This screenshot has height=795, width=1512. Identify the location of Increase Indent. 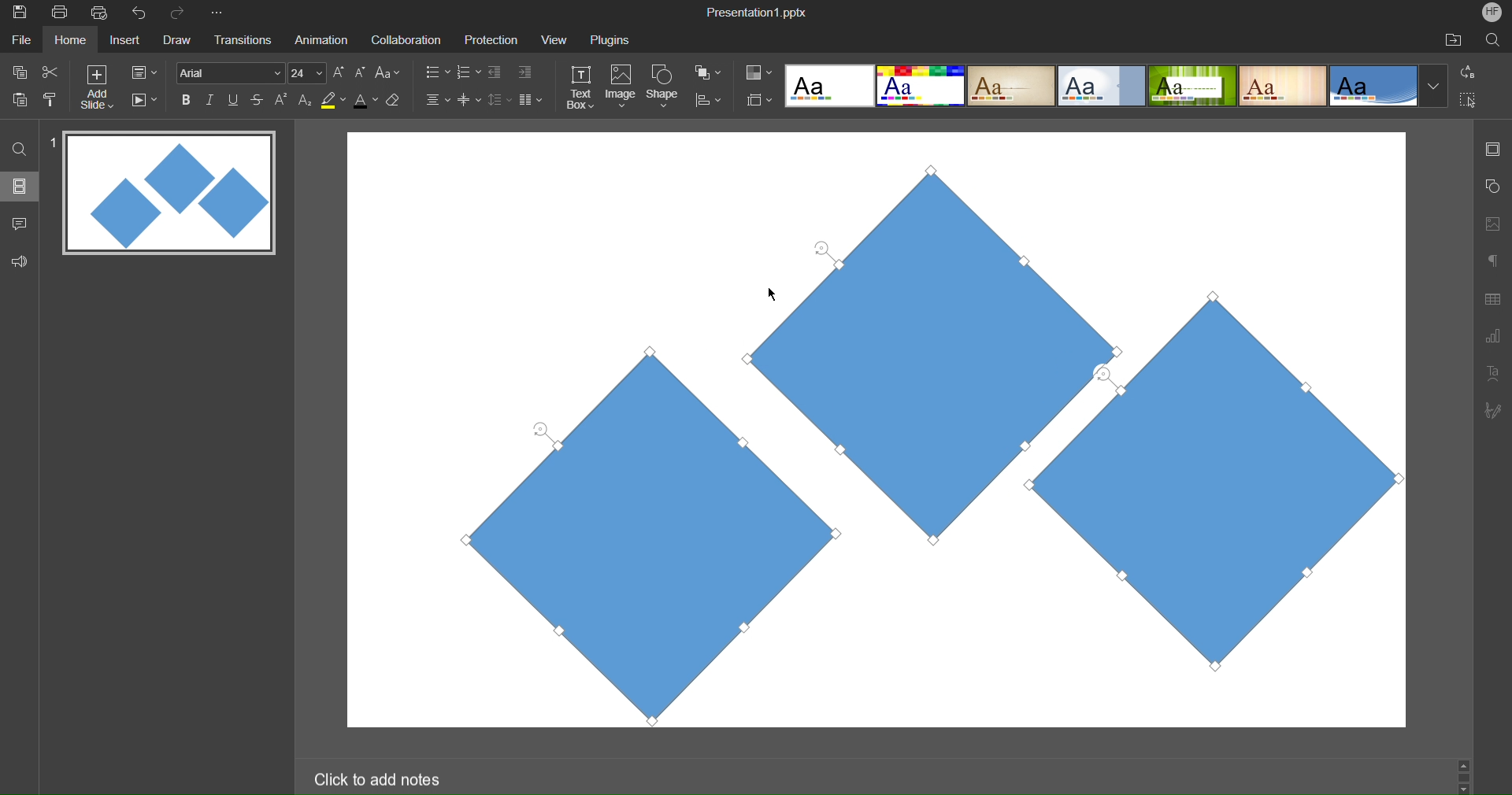
(525, 70).